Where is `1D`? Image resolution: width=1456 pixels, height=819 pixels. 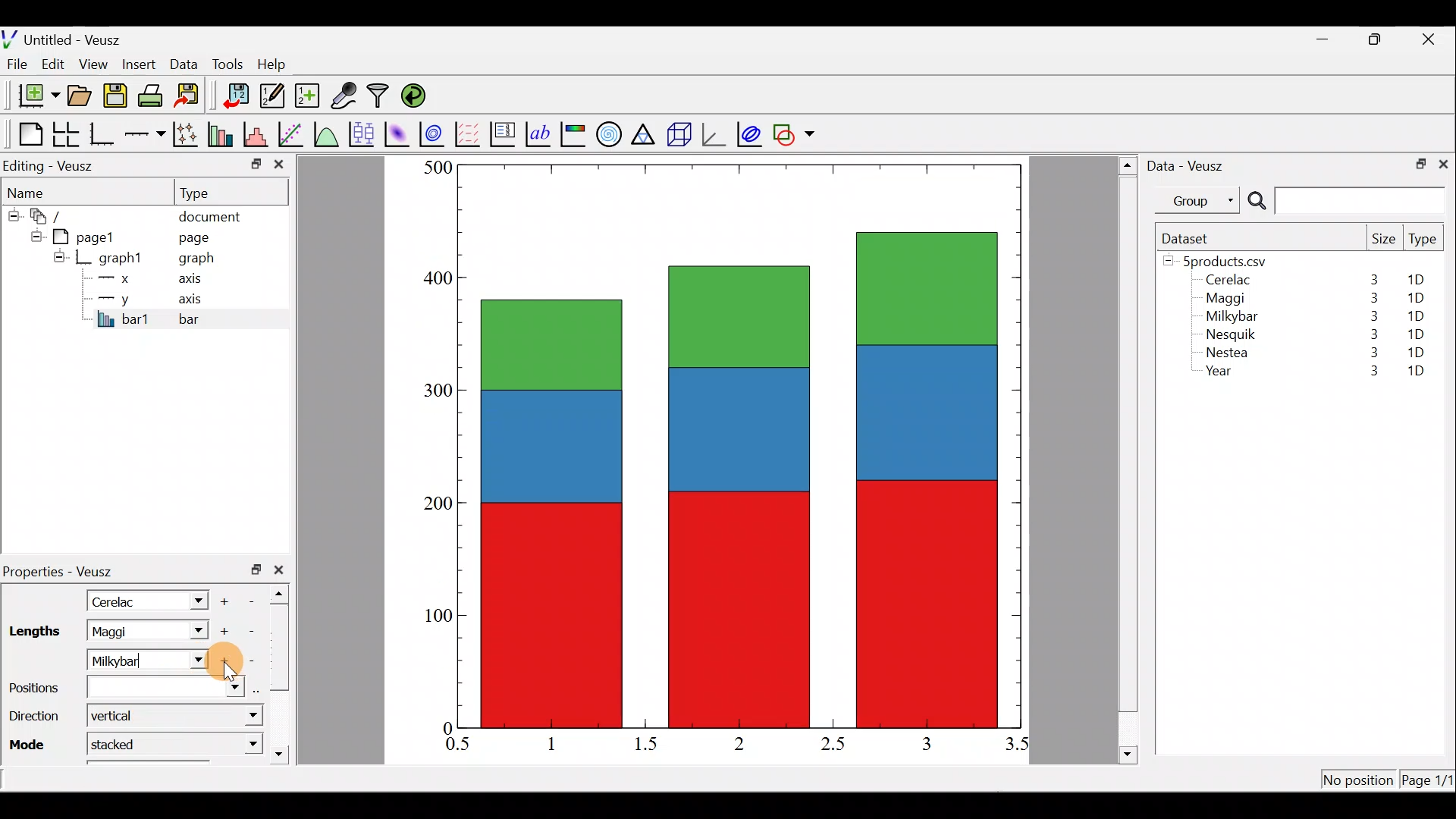
1D is located at coordinates (1416, 372).